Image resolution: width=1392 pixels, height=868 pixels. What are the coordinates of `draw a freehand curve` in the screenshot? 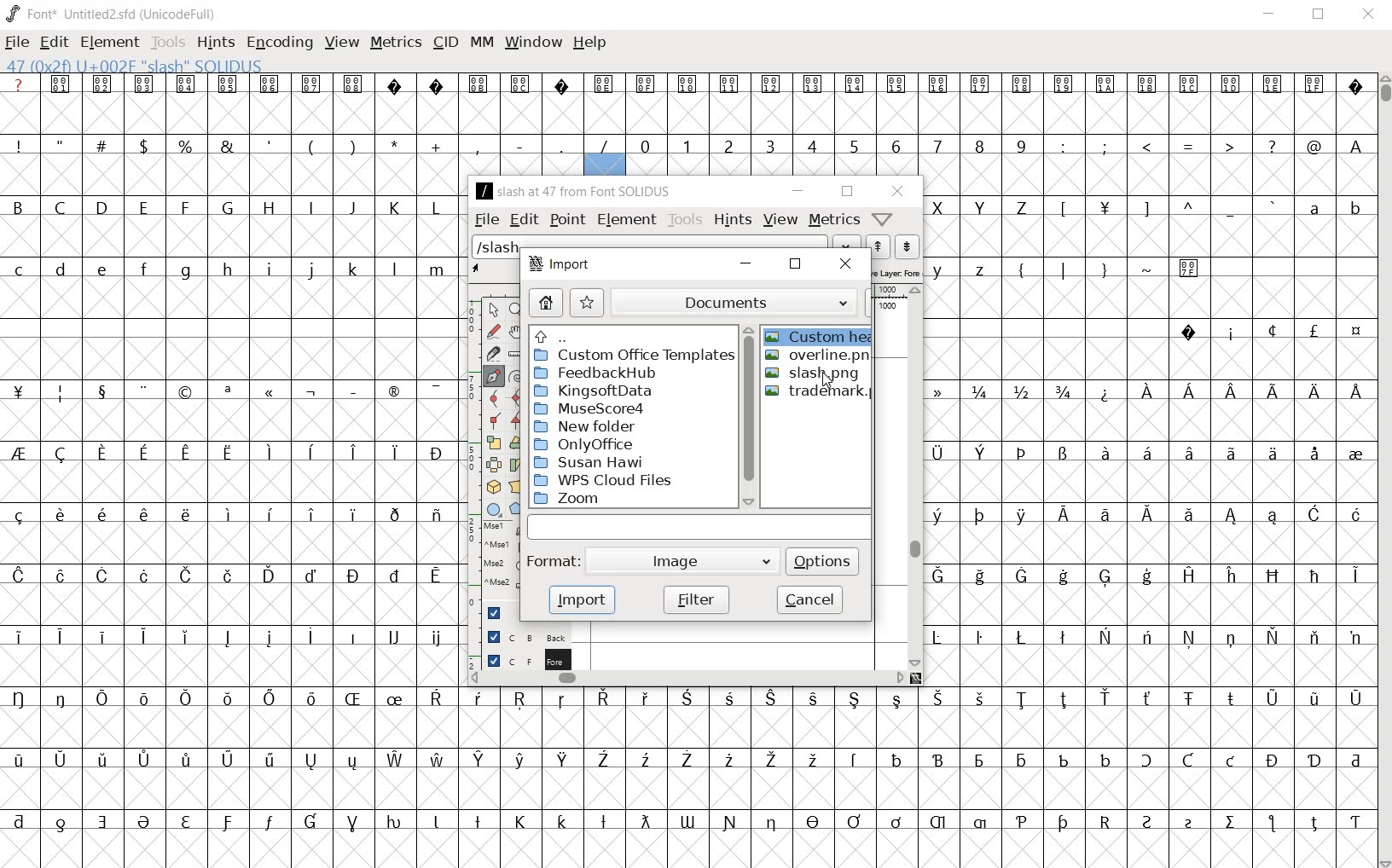 It's located at (496, 333).